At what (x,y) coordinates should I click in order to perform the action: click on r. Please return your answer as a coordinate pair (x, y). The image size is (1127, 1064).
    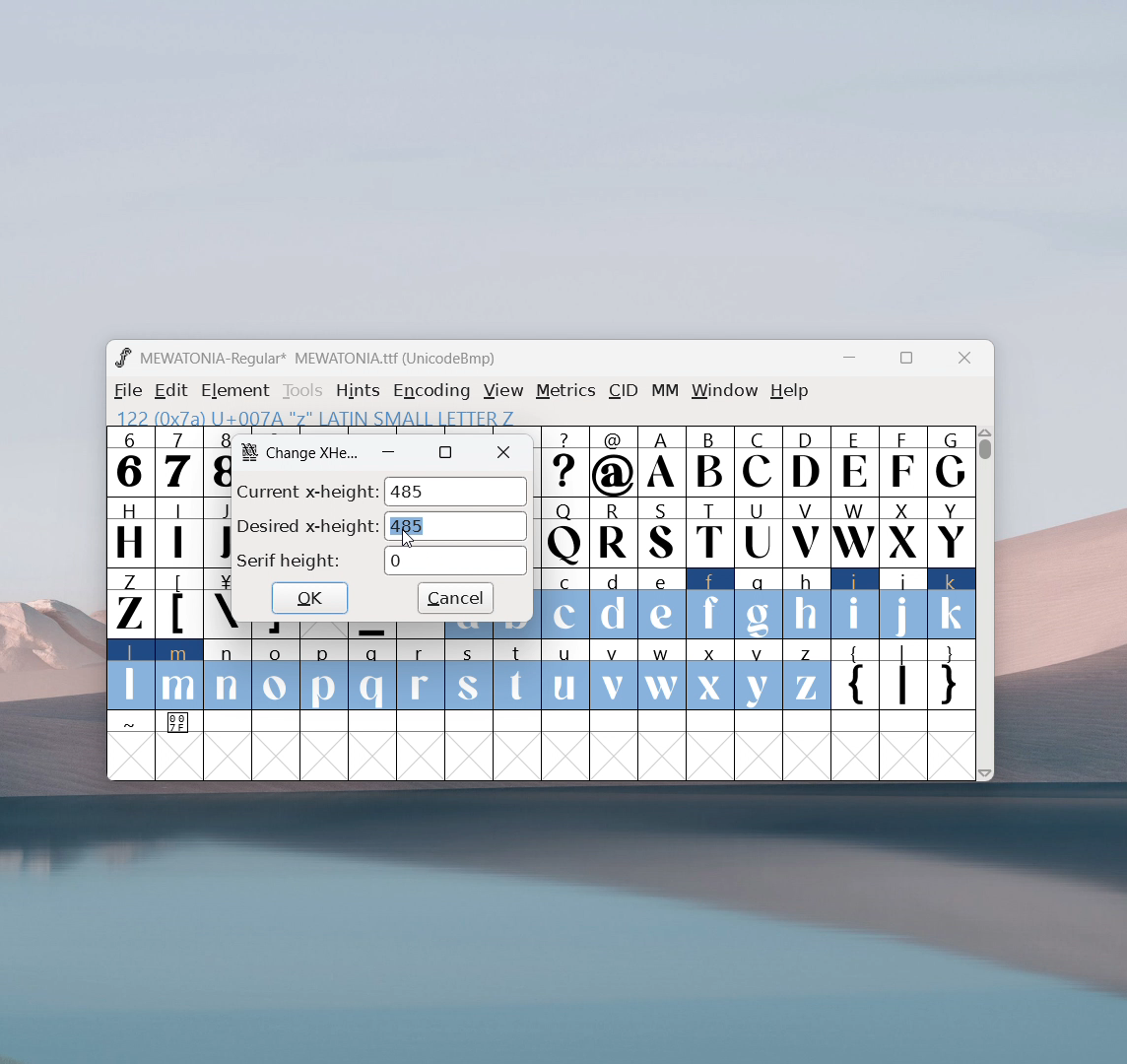
    Looking at the image, I should click on (420, 676).